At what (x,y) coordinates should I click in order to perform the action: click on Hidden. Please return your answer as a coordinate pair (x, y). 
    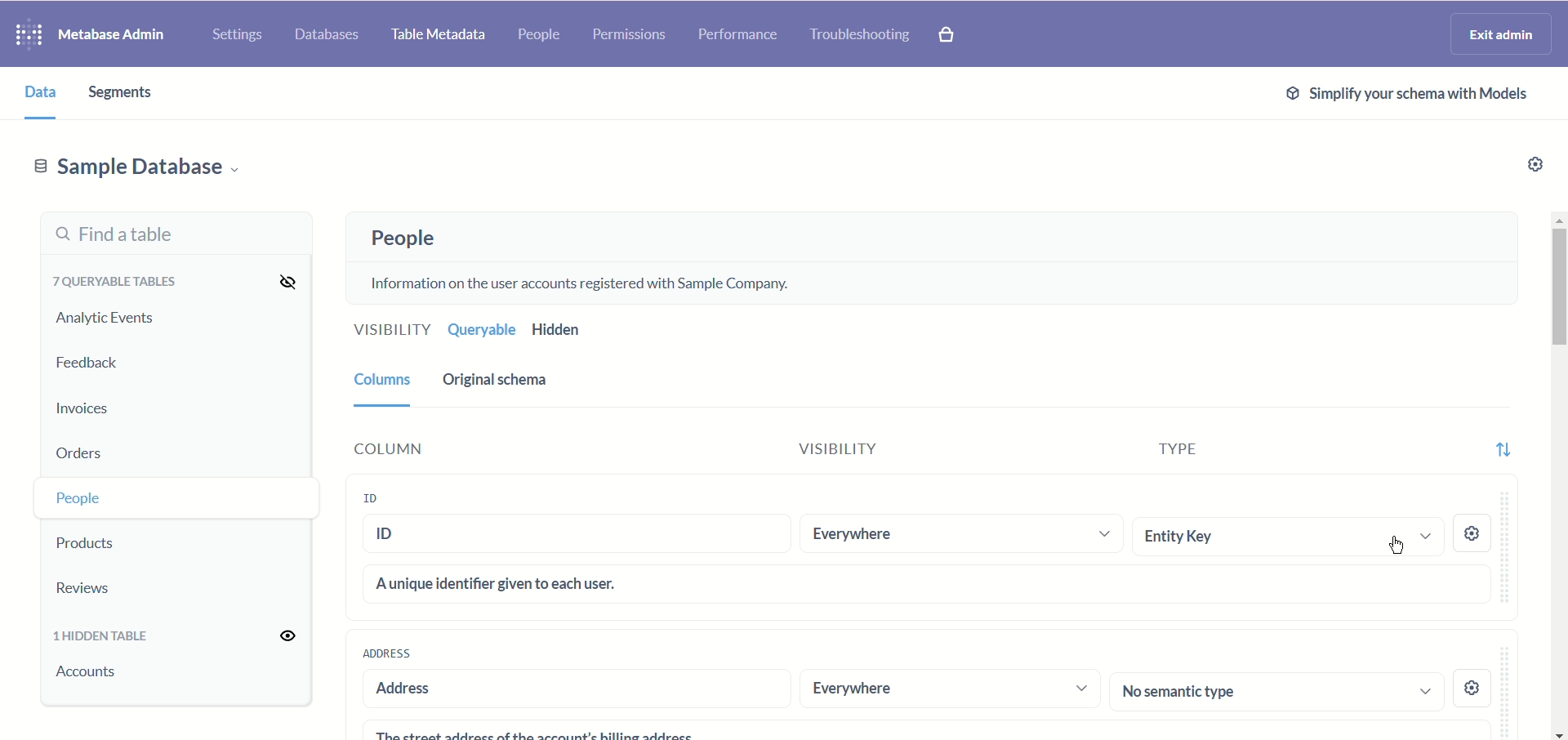
    Looking at the image, I should click on (560, 330).